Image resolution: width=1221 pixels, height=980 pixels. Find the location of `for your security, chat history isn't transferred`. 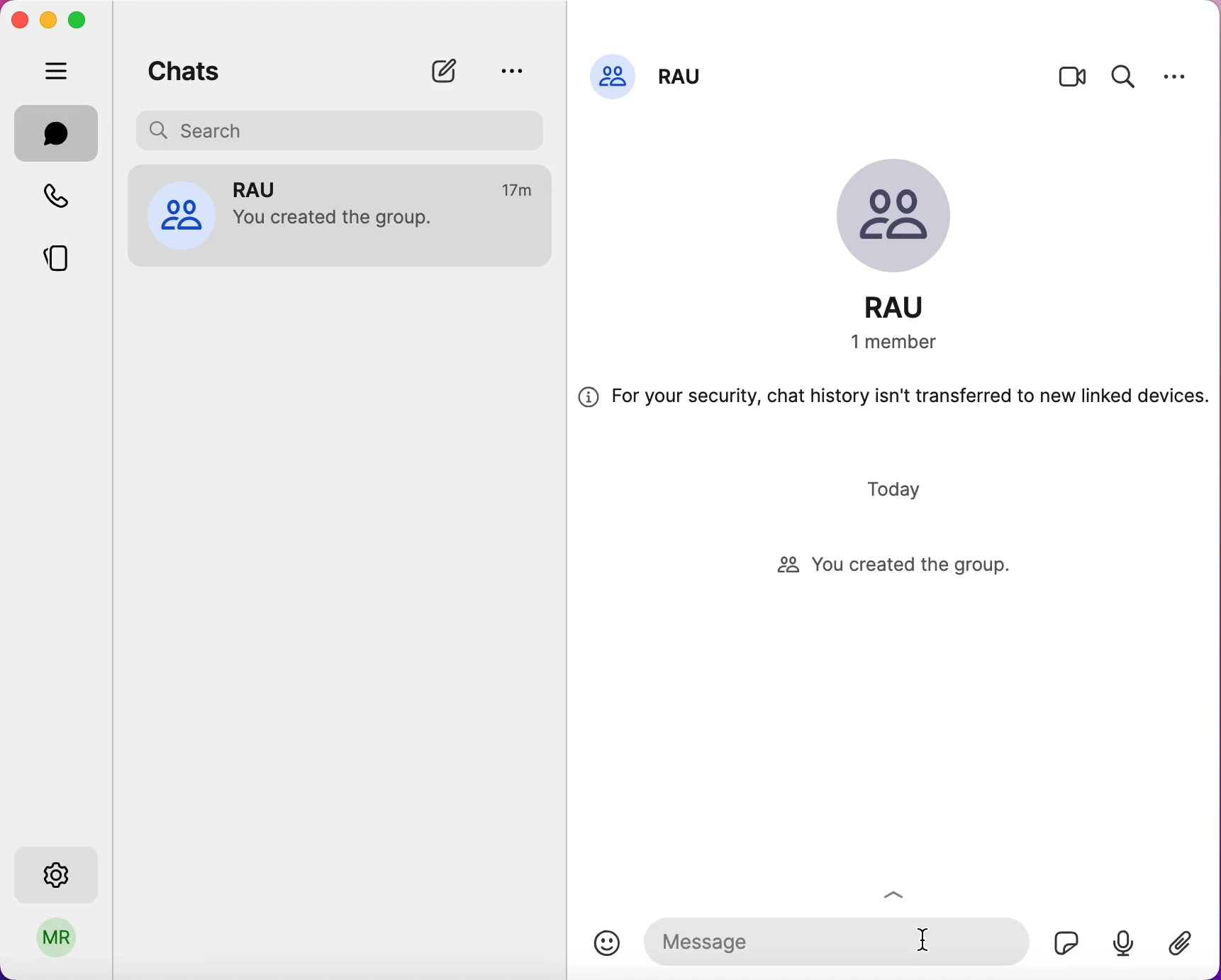

for your security, chat history isn't transferred is located at coordinates (893, 402).